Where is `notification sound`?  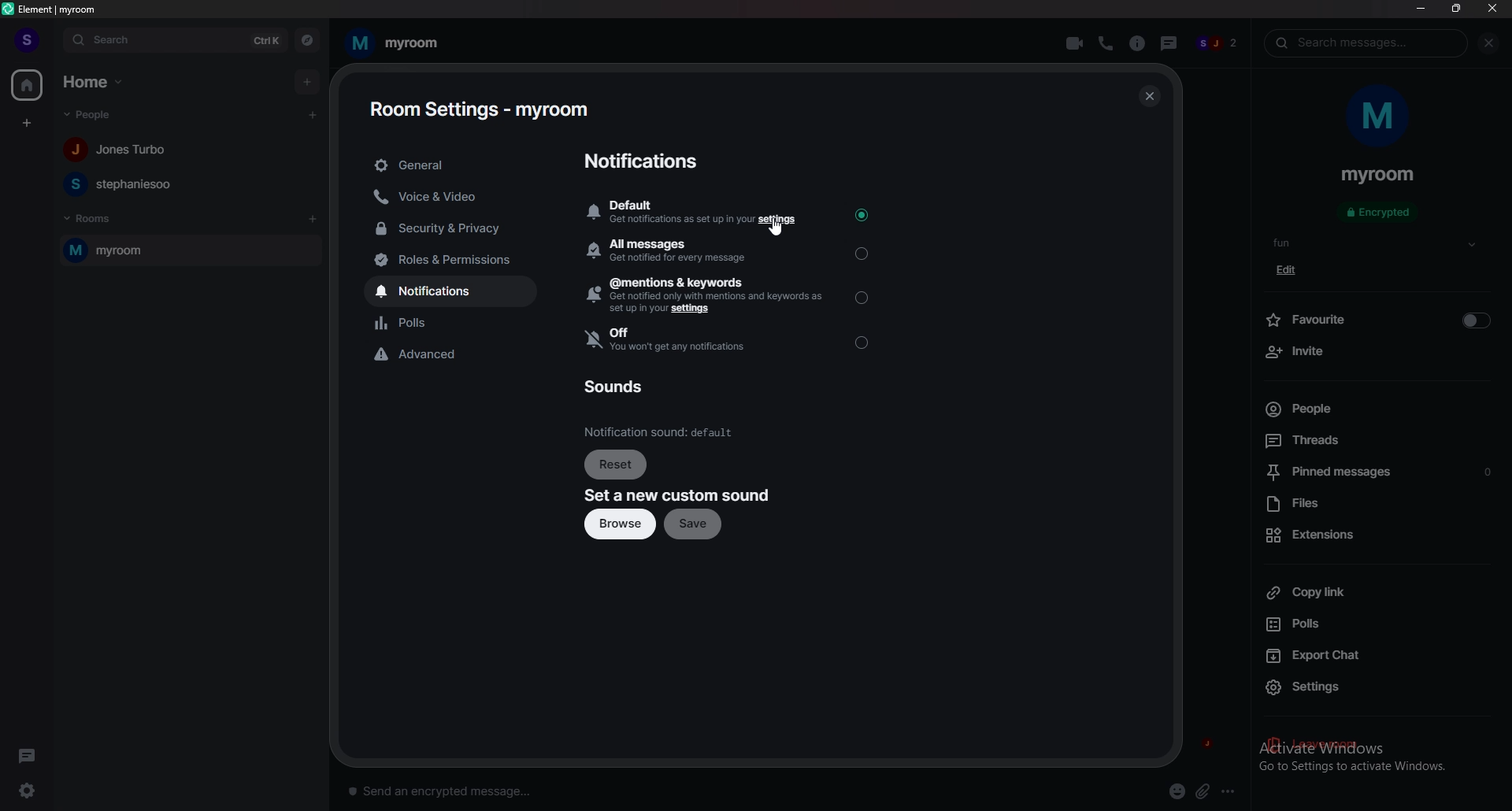
notification sound is located at coordinates (661, 431).